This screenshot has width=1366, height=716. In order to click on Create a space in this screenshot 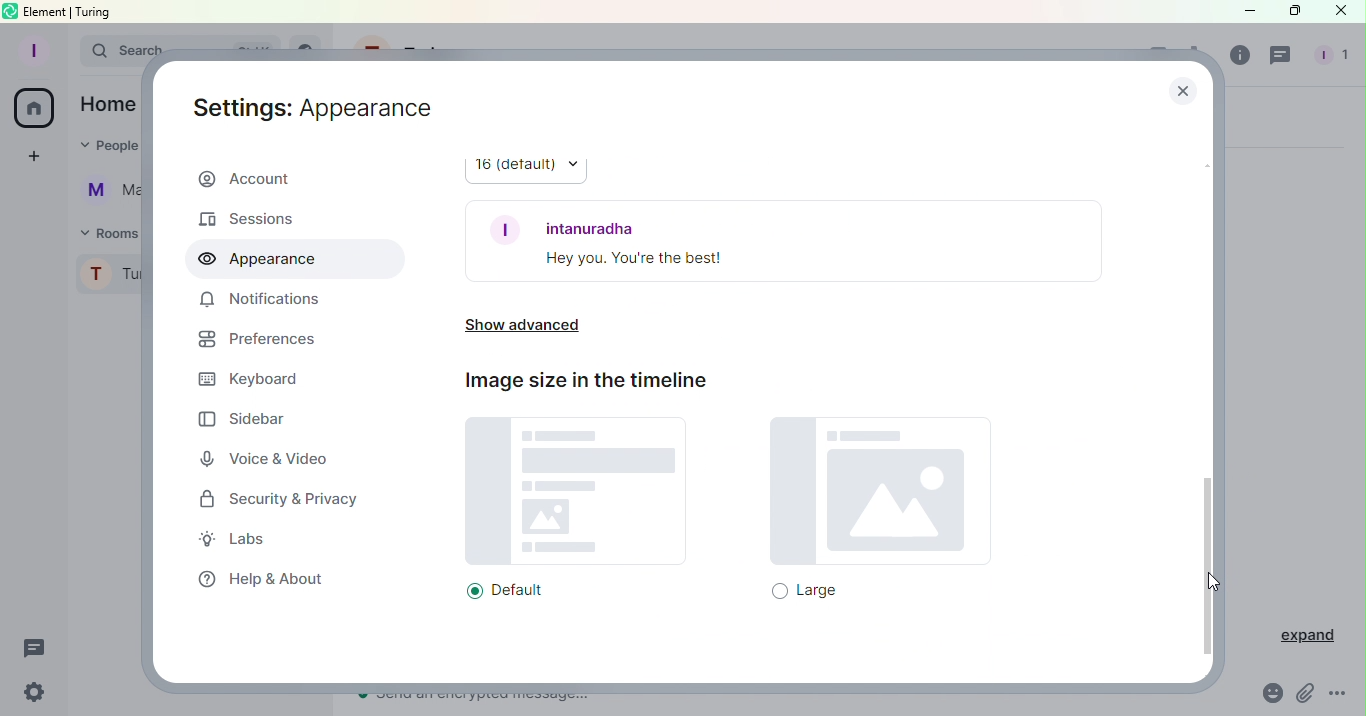, I will do `click(34, 156)`.